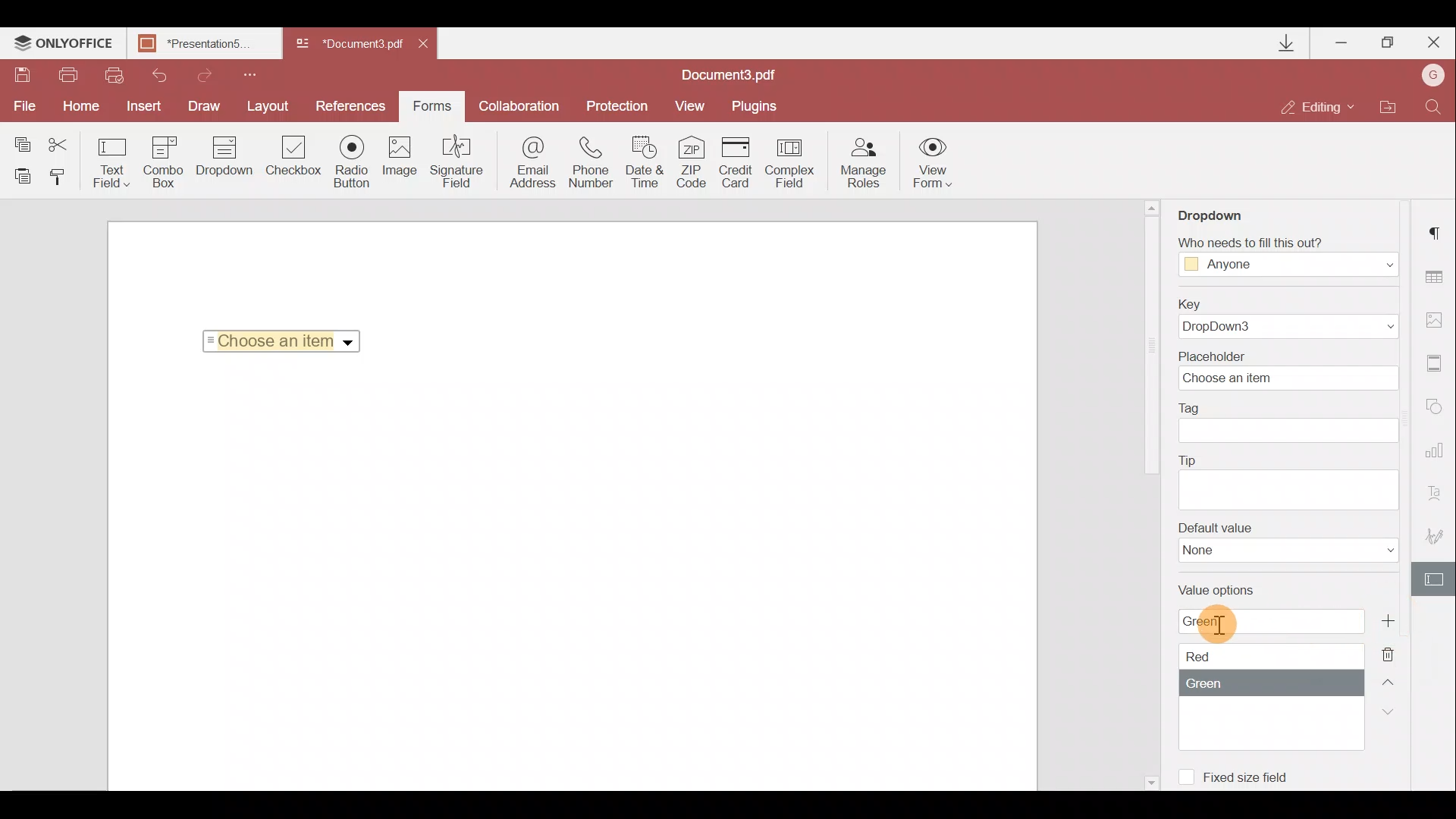  What do you see at coordinates (403, 161) in the screenshot?
I see `Image` at bounding box center [403, 161].